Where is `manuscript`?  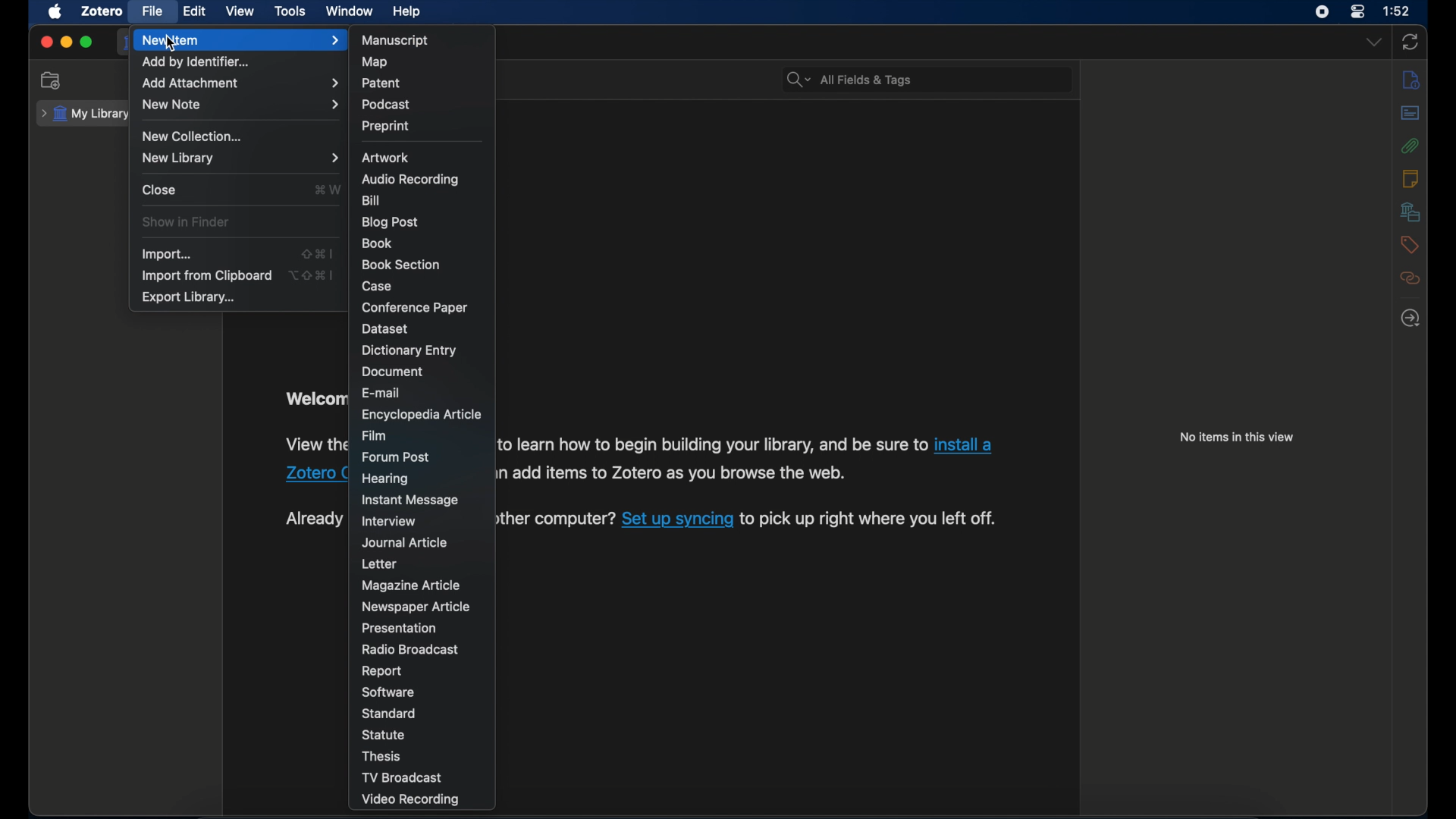
manuscript is located at coordinates (395, 39).